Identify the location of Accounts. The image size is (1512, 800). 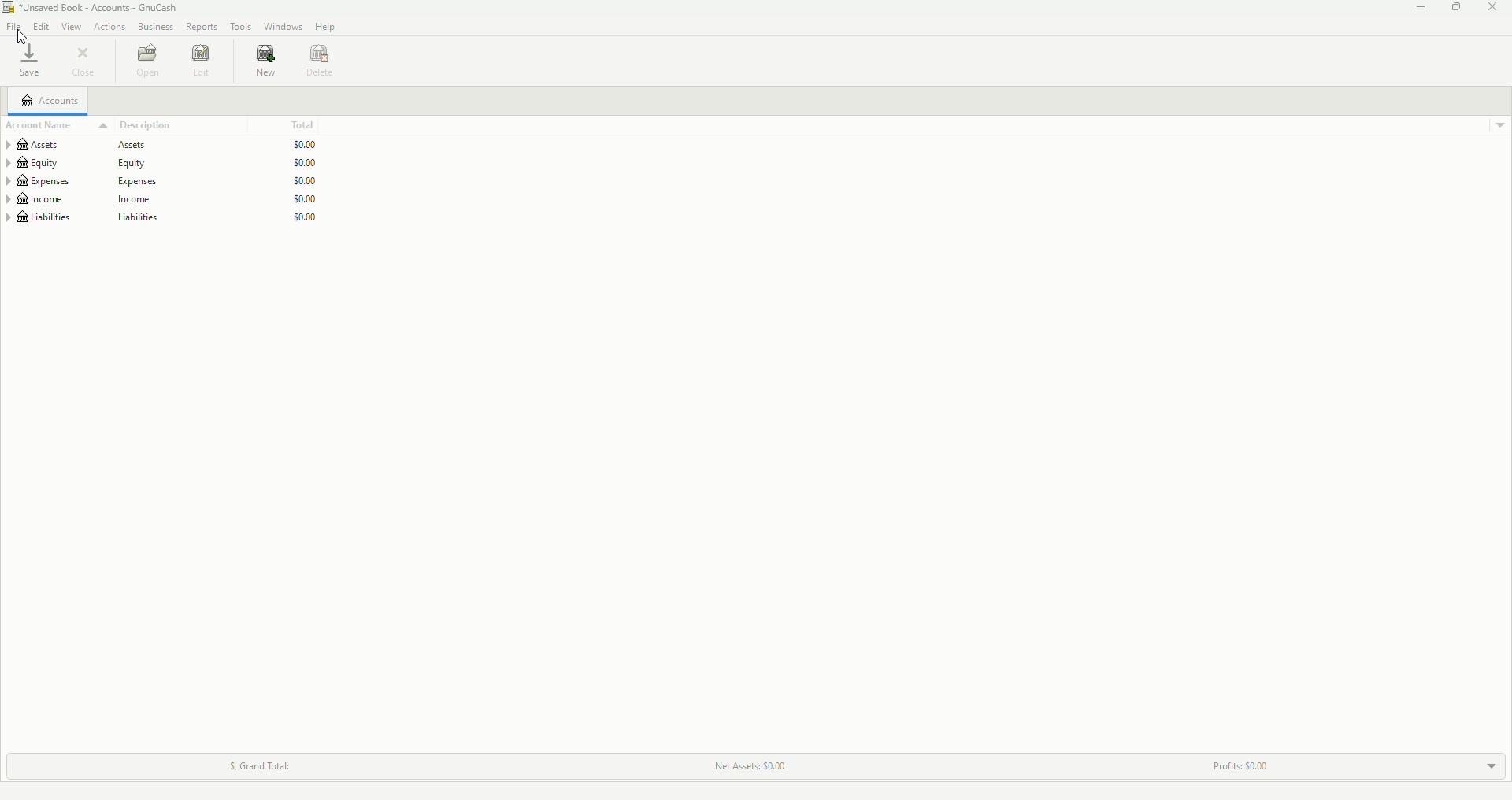
(48, 102).